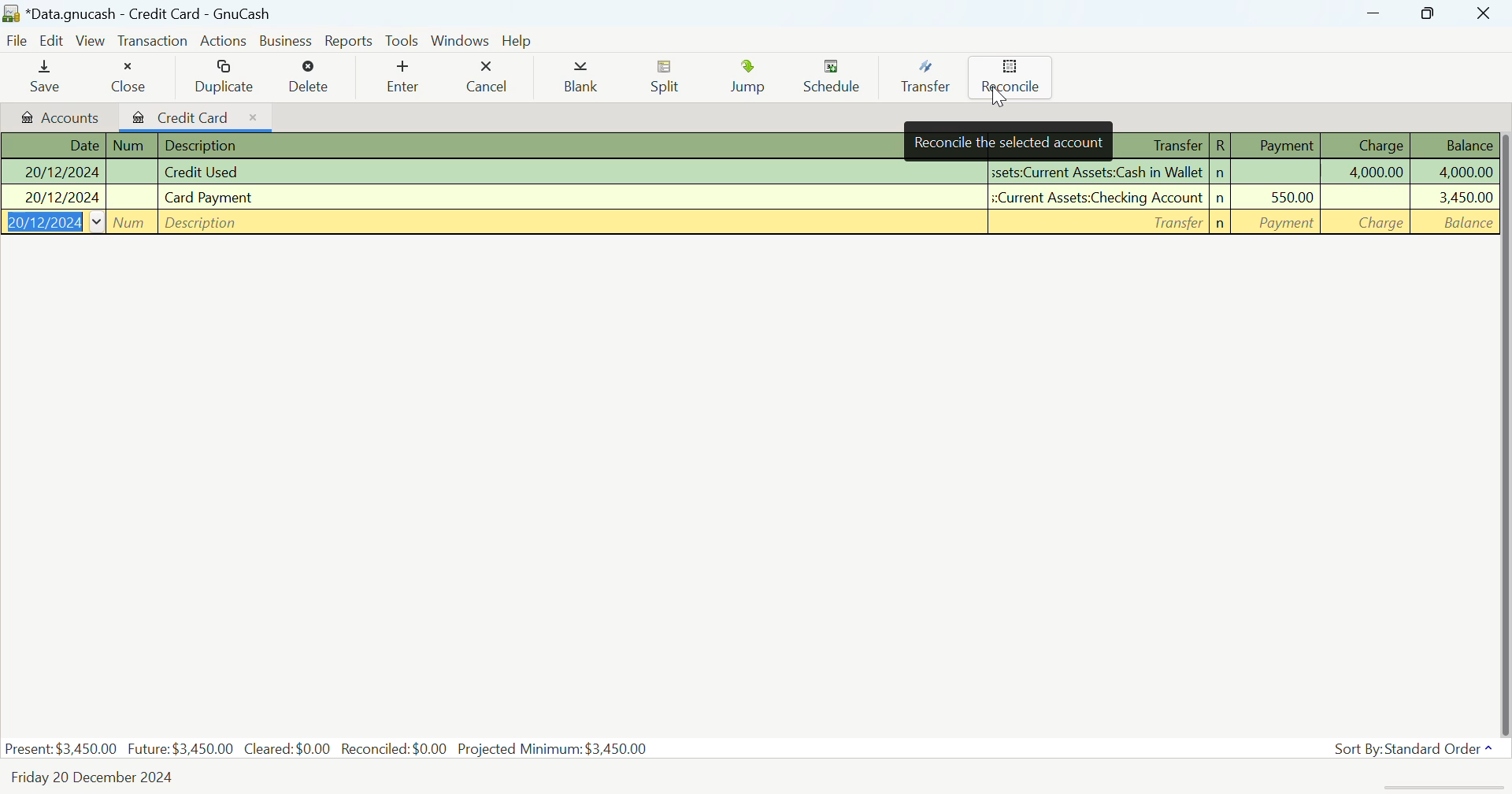  What do you see at coordinates (150, 42) in the screenshot?
I see `Transaction` at bounding box center [150, 42].